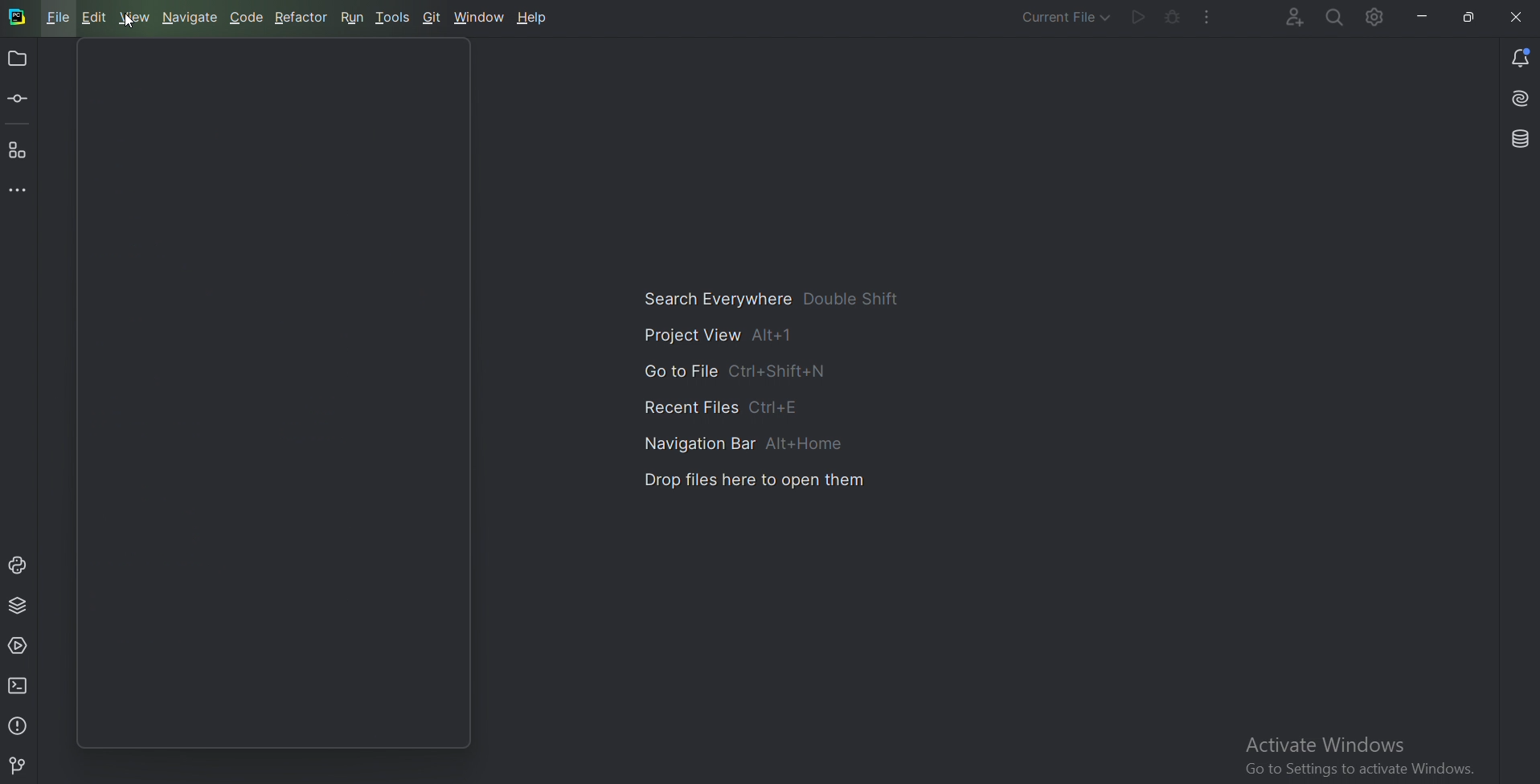 This screenshot has height=784, width=1540. What do you see at coordinates (530, 17) in the screenshot?
I see `Help` at bounding box center [530, 17].